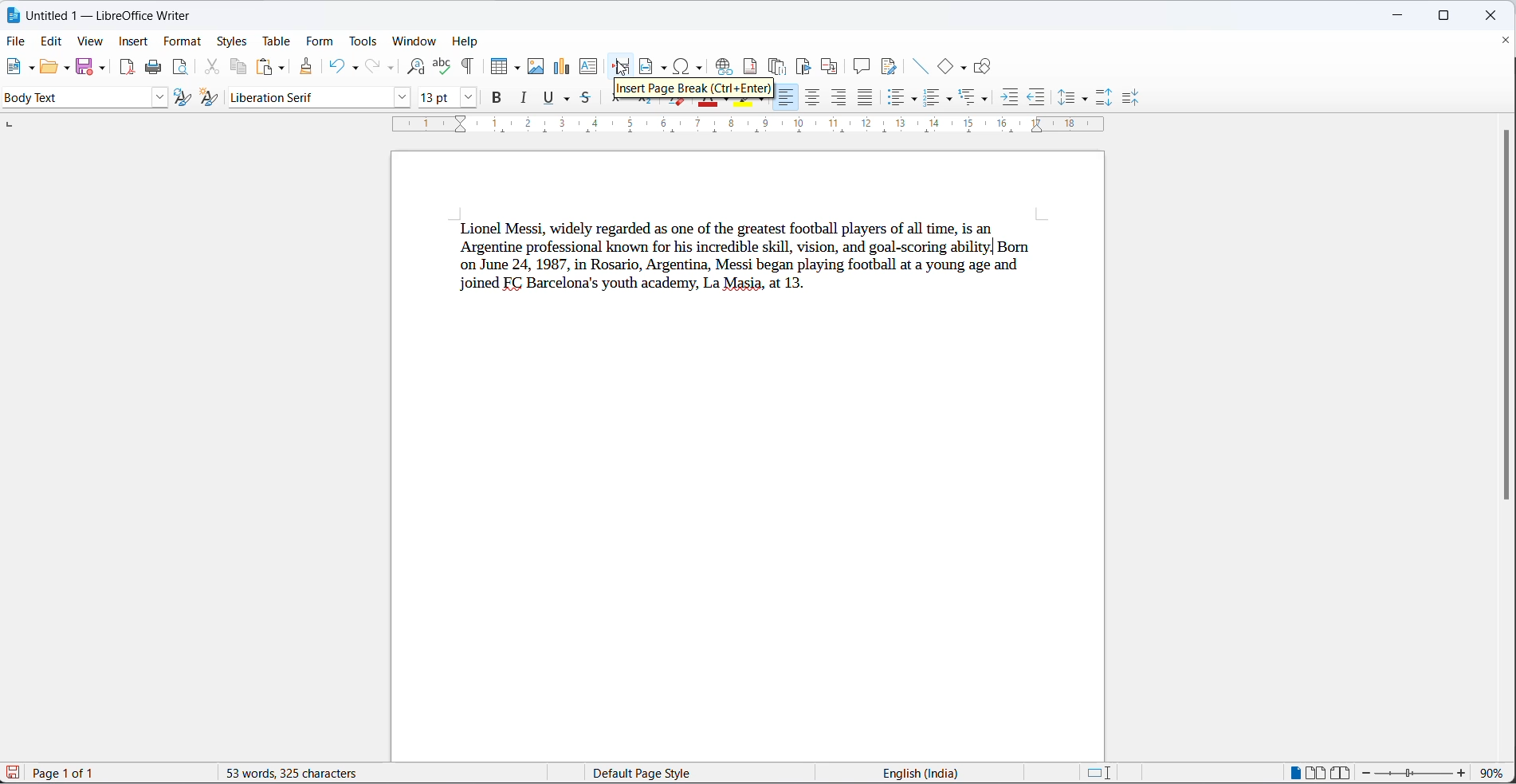 Image resolution: width=1516 pixels, height=784 pixels. I want to click on , so click(438, 98).